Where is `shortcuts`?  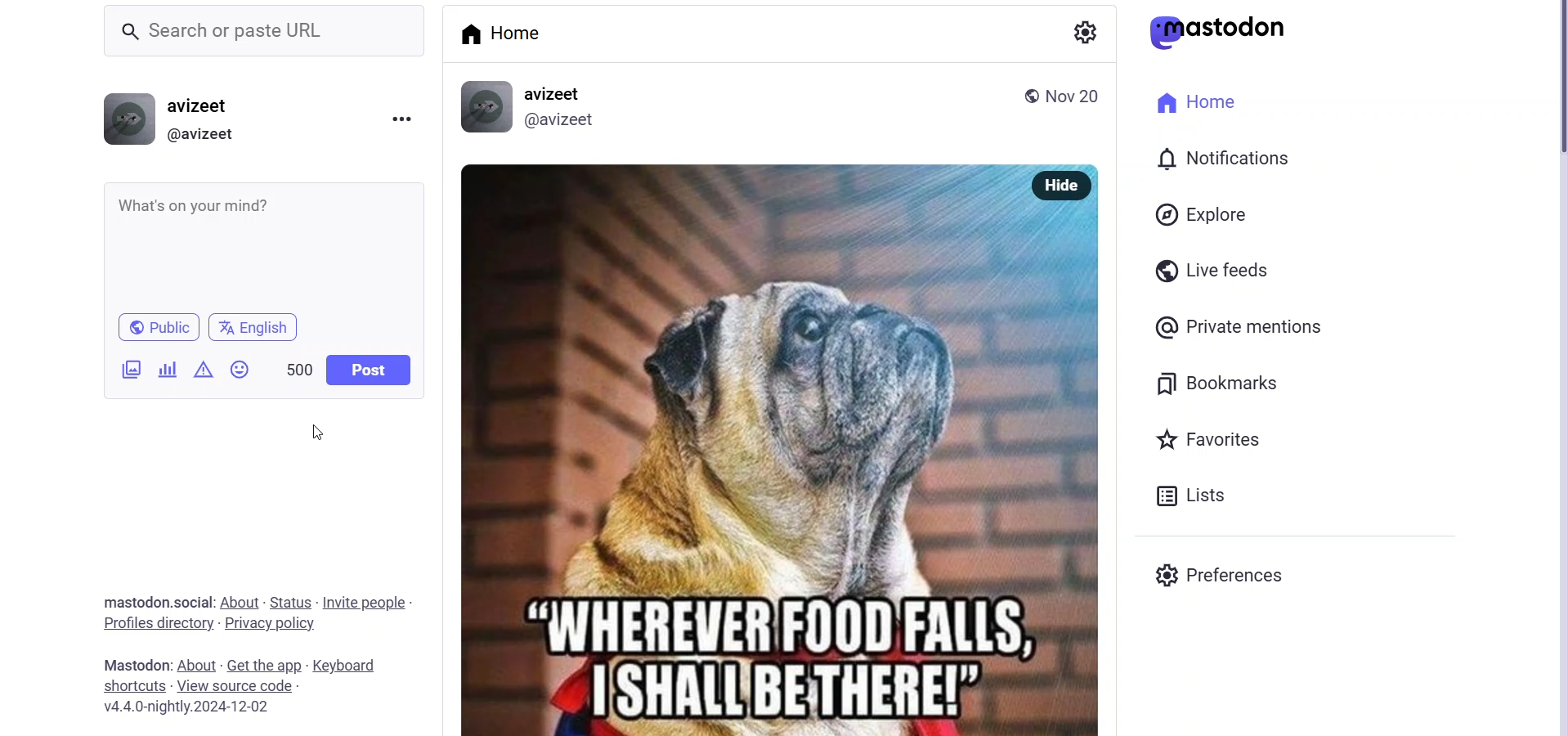
shortcuts is located at coordinates (133, 686).